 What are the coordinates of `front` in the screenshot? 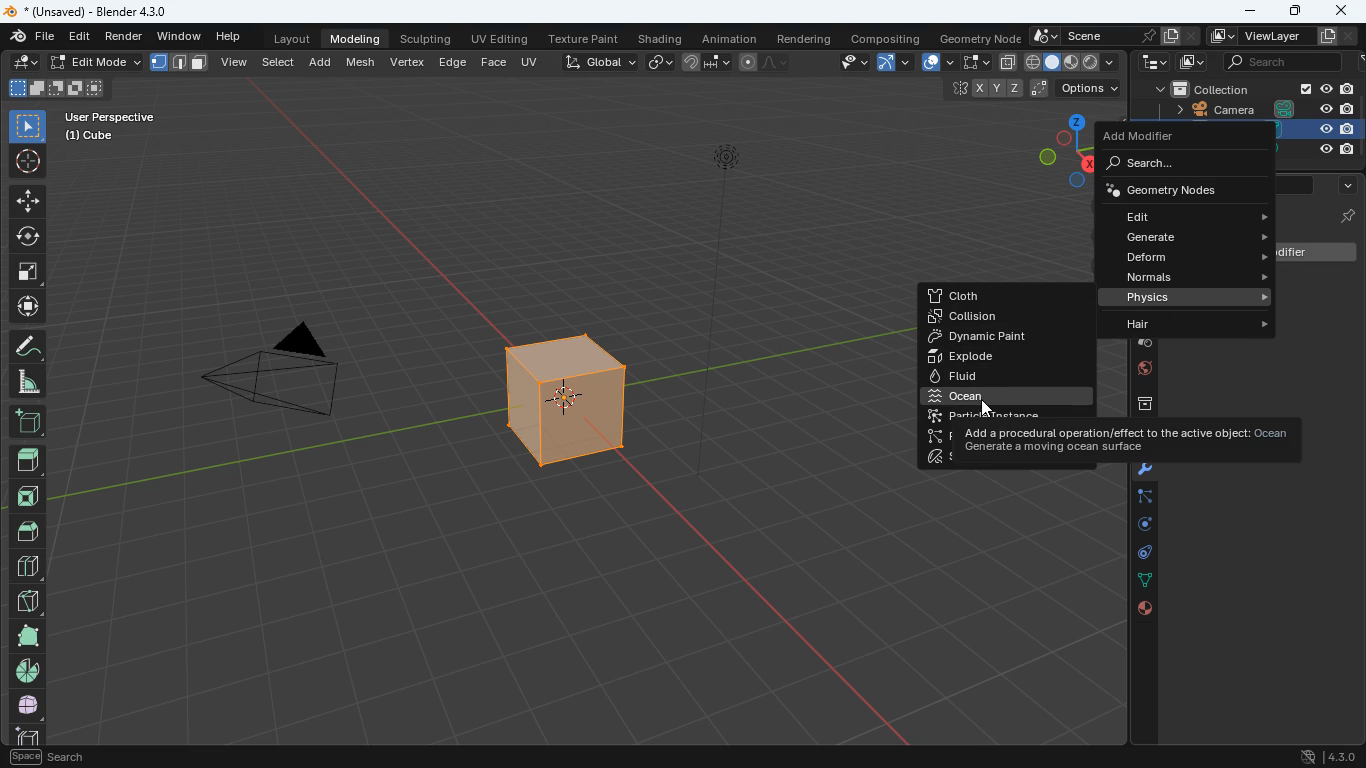 It's located at (26, 496).